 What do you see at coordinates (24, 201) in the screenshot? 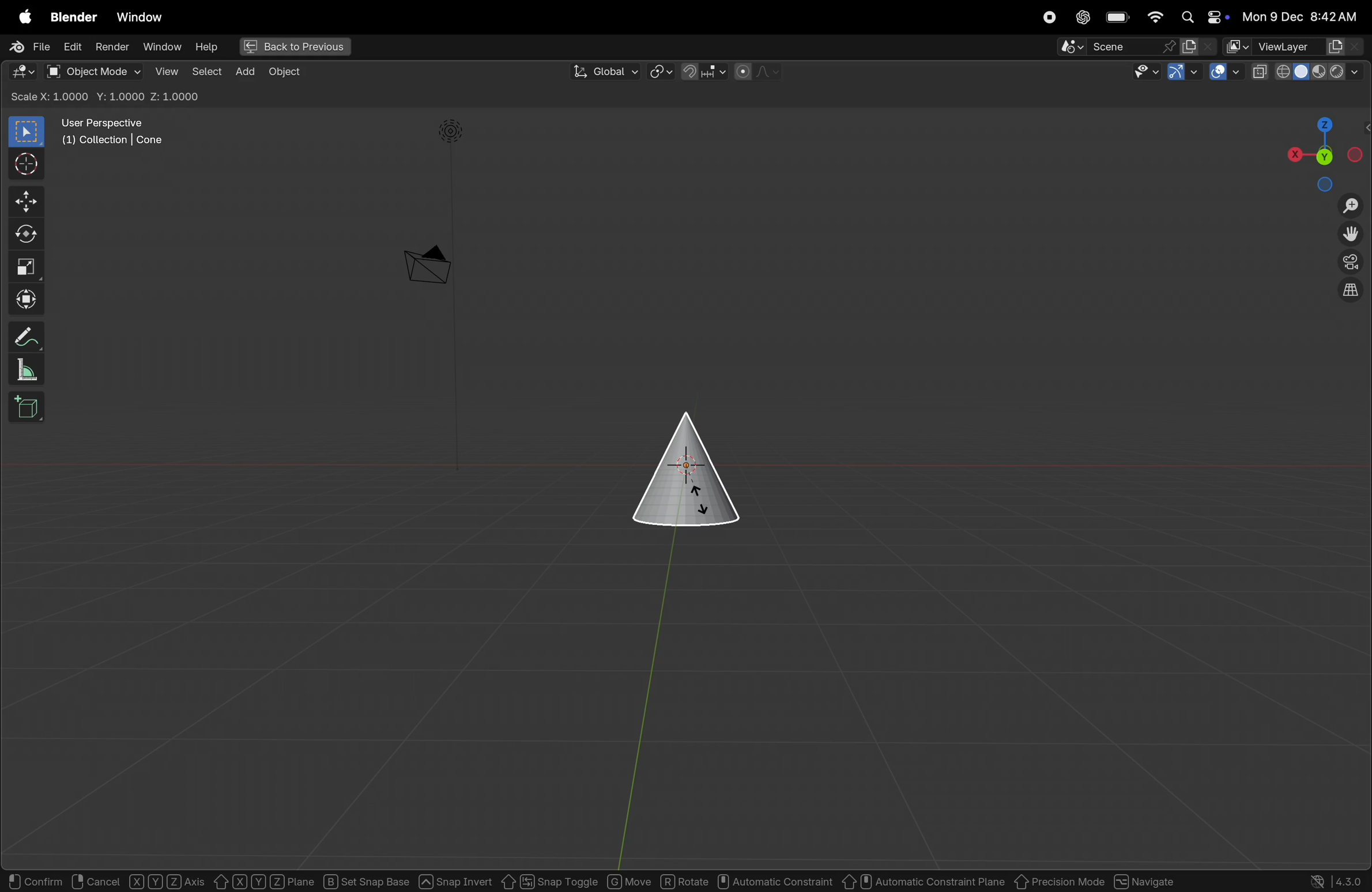
I see `move` at bounding box center [24, 201].